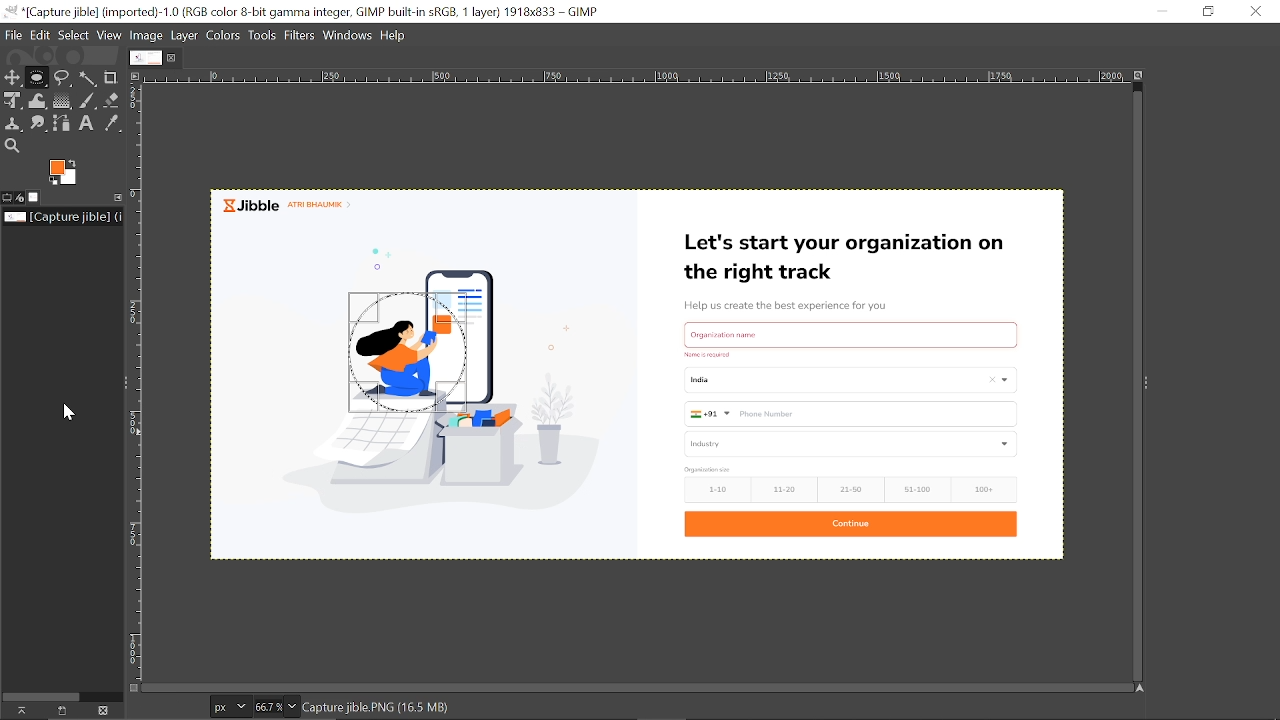 This screenshot has width=1280, height=720. What do you see at coordinates (639, 685) in the screenshot?
I see `horizontal scroll bar` at bounding box center [639, 685].